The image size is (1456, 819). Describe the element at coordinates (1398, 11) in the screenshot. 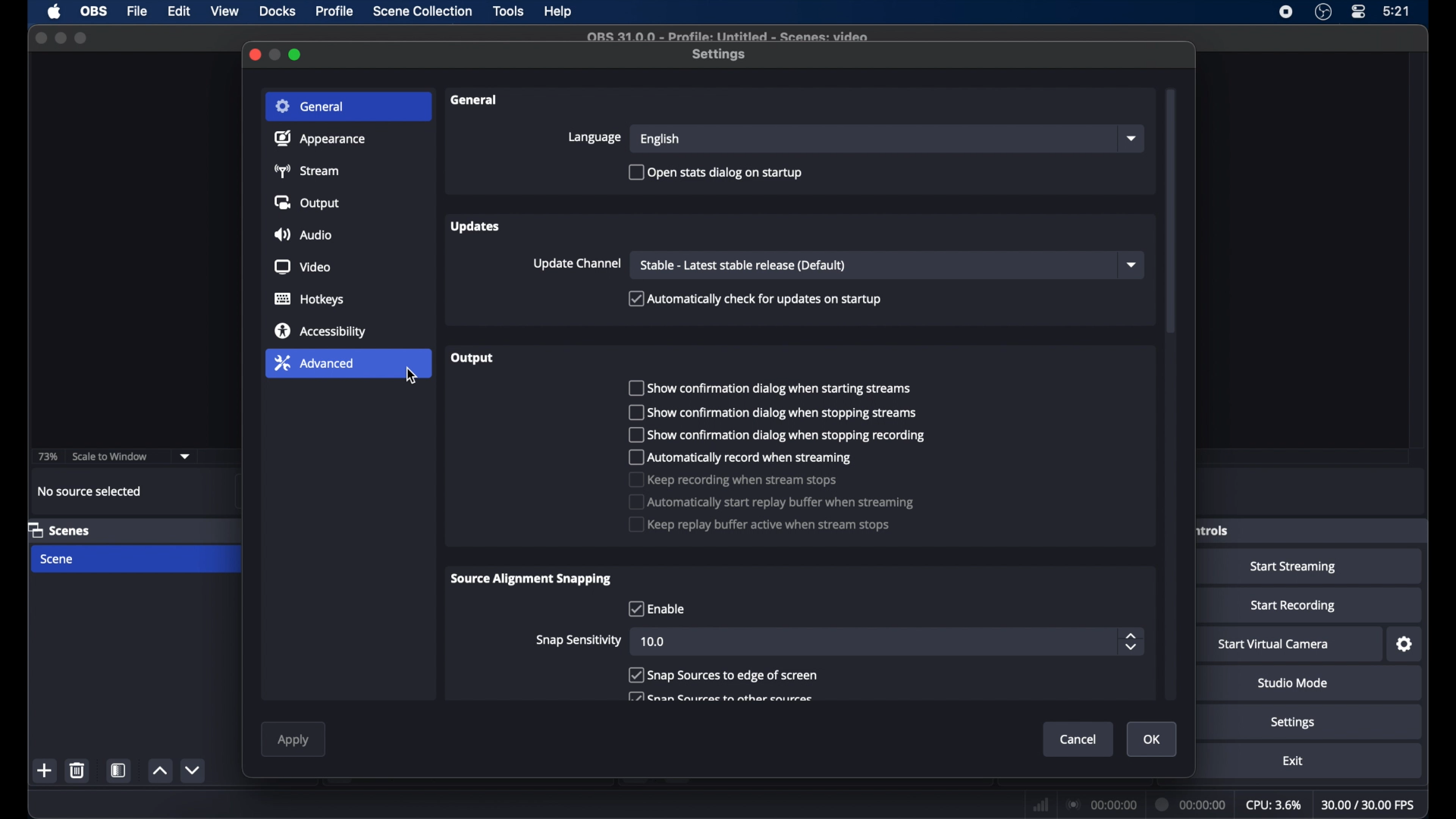

I see `time` at that location.